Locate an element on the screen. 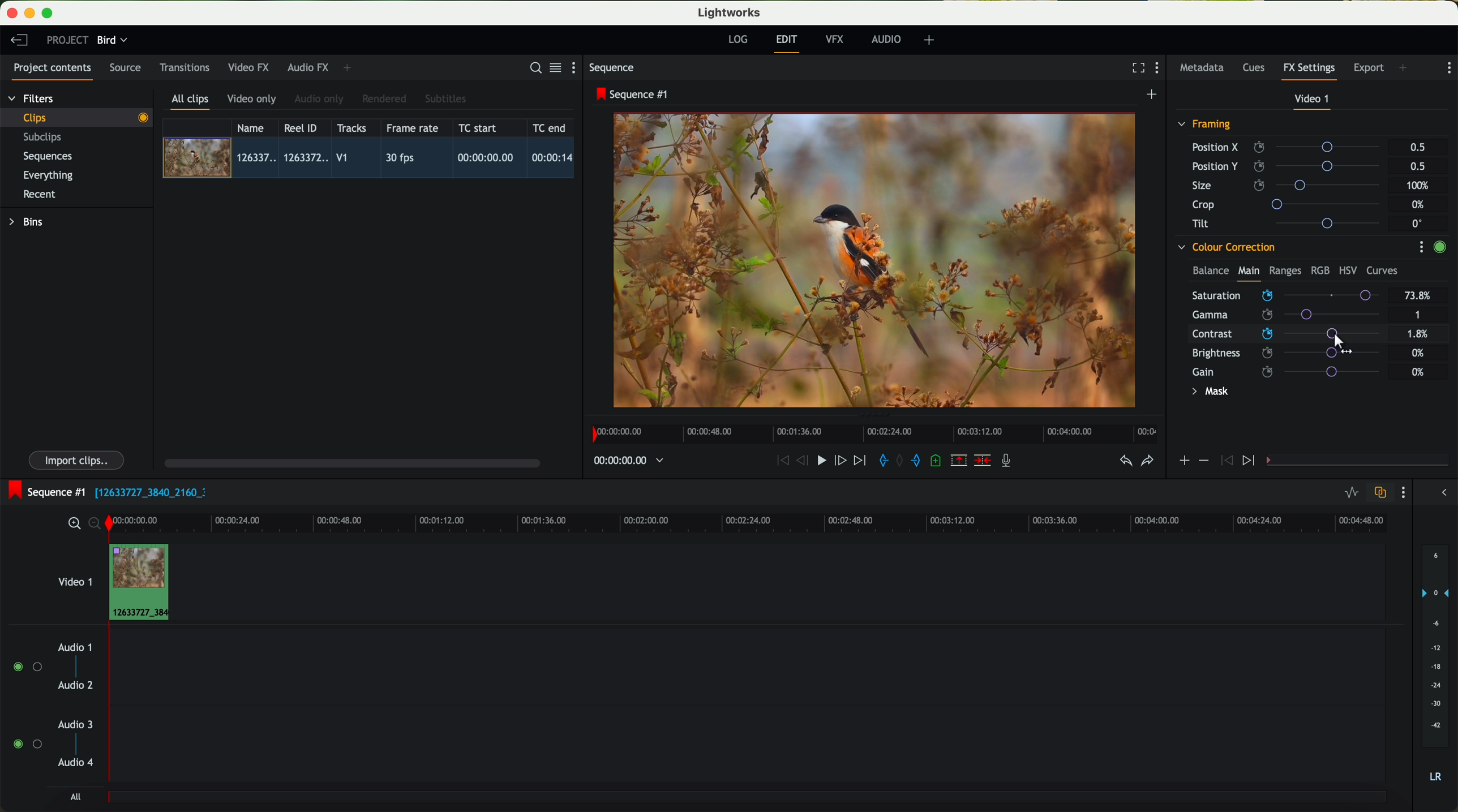 The height and width of the screenshot is (812, 1458). create a new sequence is located at coordinates (1153, 95).